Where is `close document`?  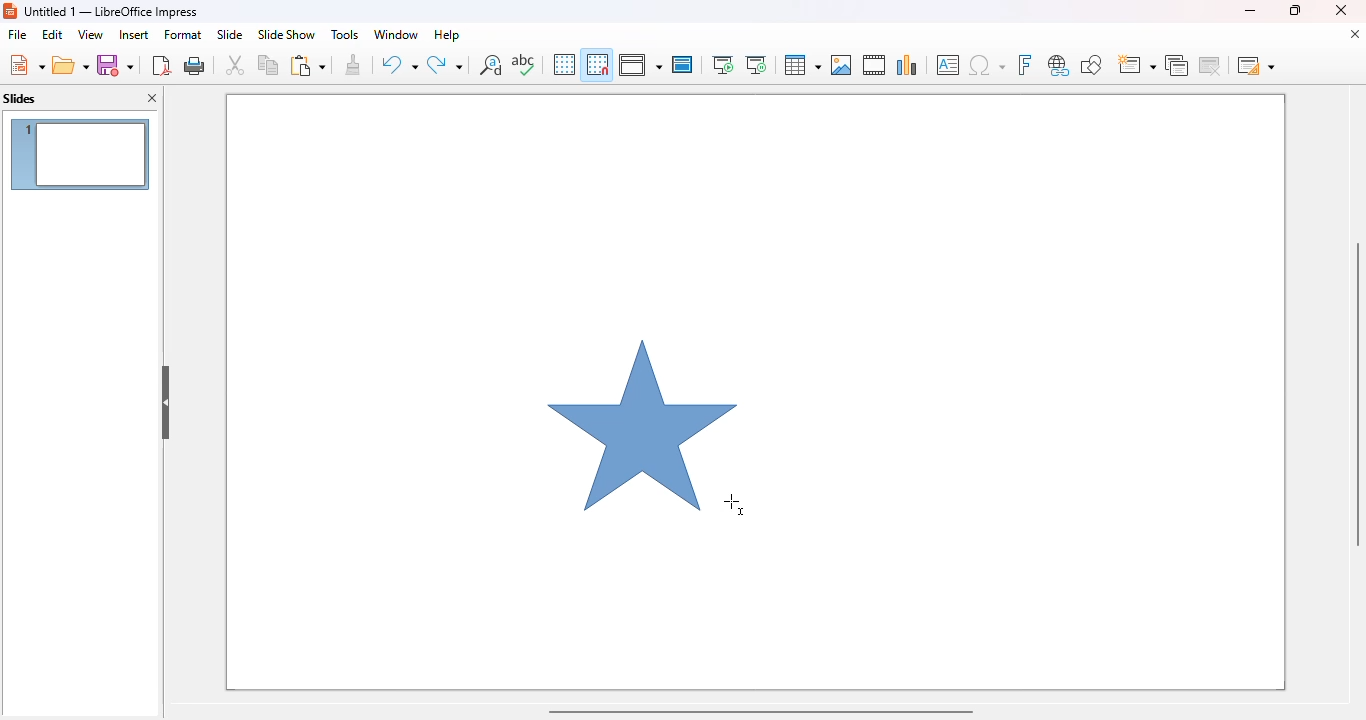 close document is located at coordinates (1354, 34).